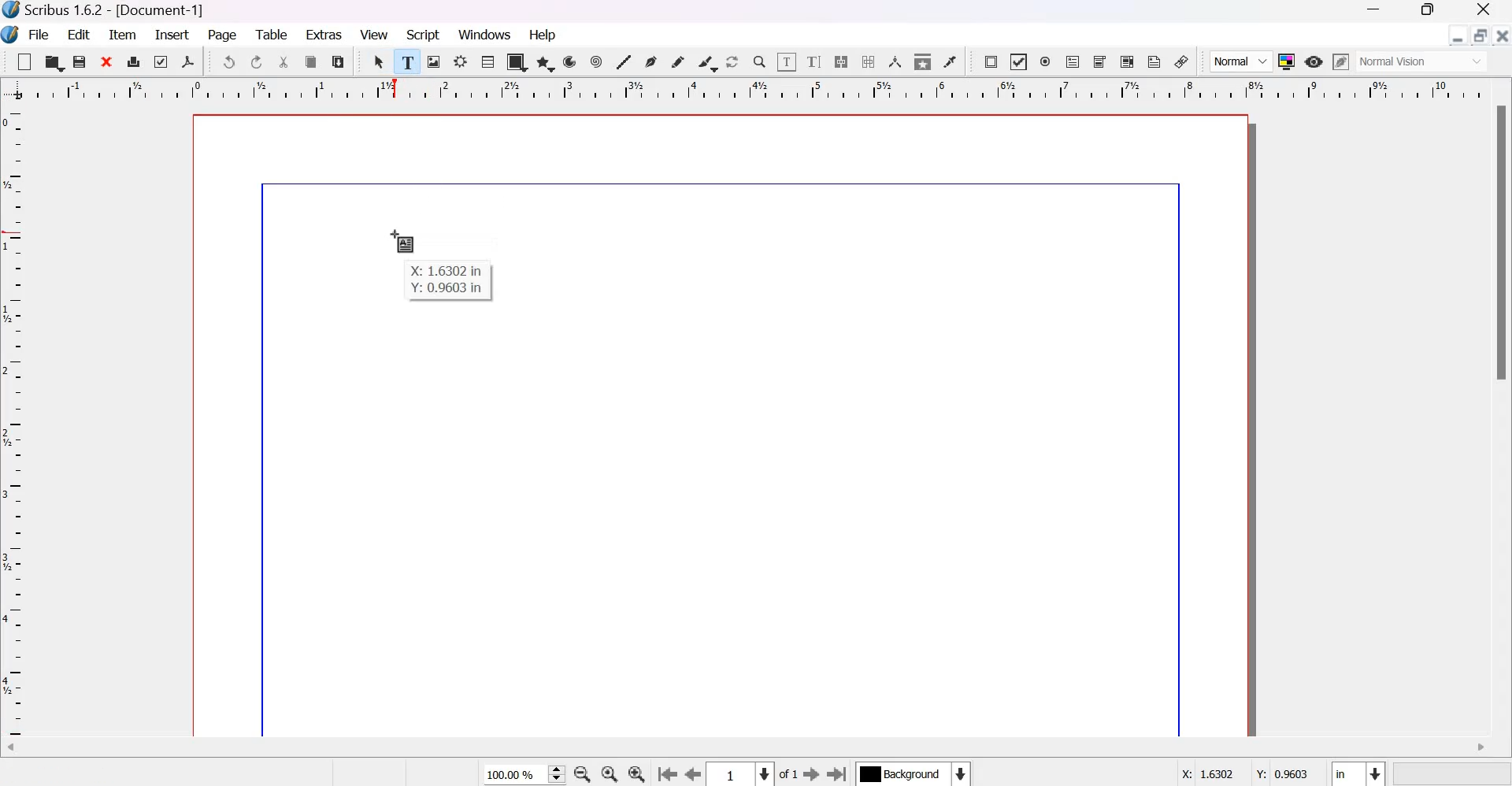  Describe the element at coordinates (754, 92) in the screenshot. I see `Horizontal scale` at that location.